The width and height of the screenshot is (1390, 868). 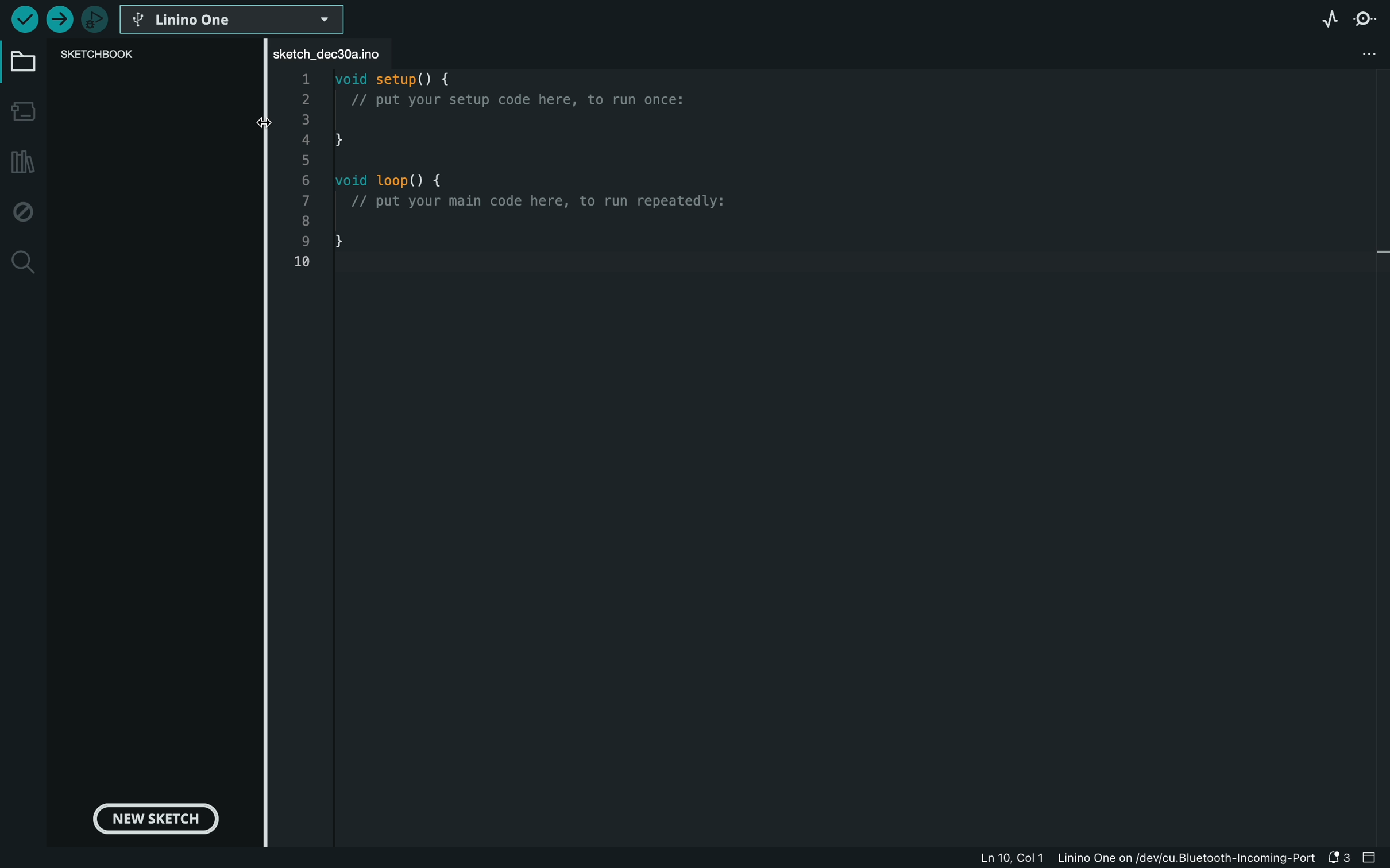 What do you see at coordinates (20, 261) in the screenshot?
I see `search` at bounding box center [20, 261].